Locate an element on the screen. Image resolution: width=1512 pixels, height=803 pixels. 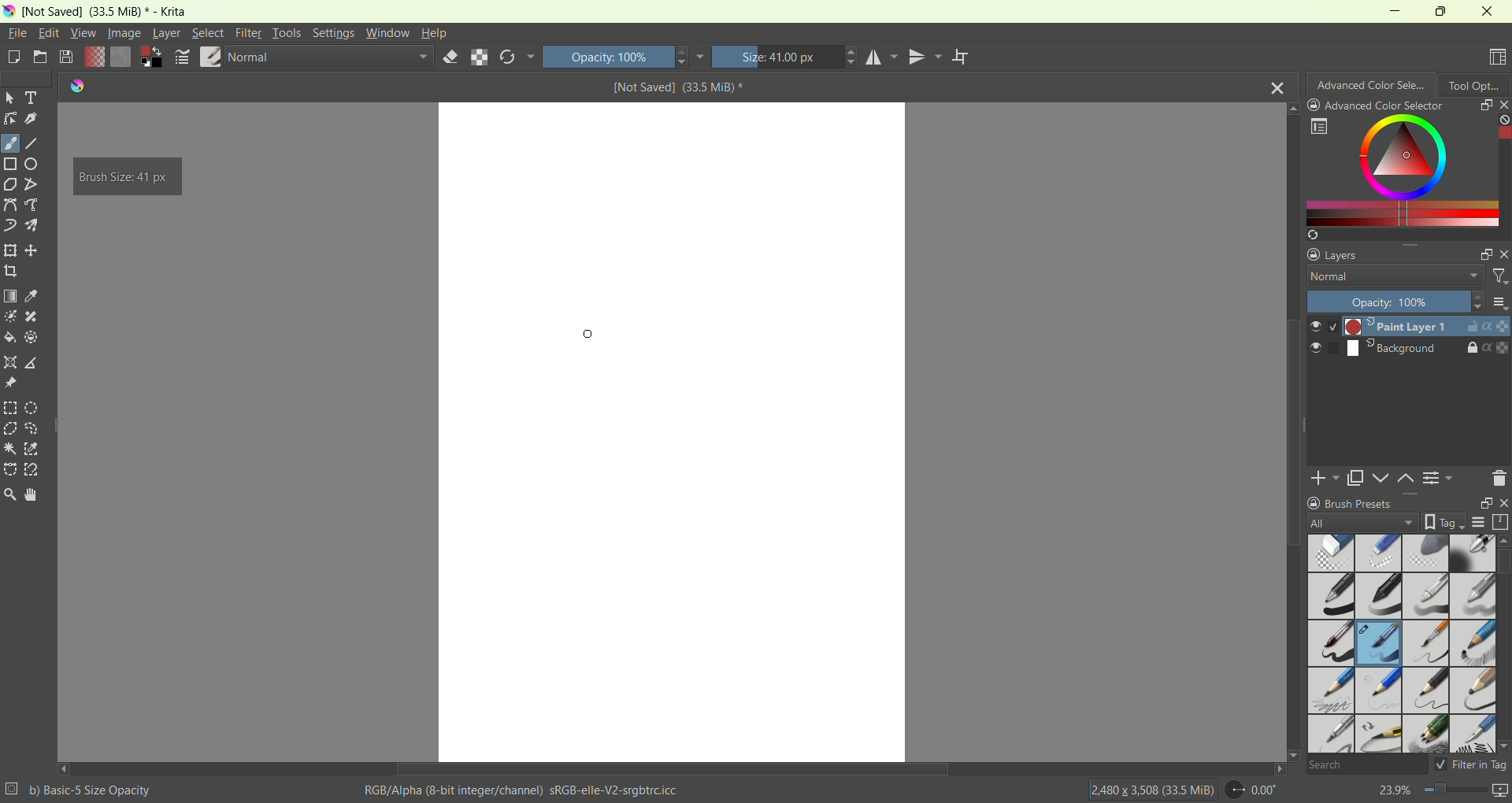
basic 3 is located at coordinates (1425, 598).